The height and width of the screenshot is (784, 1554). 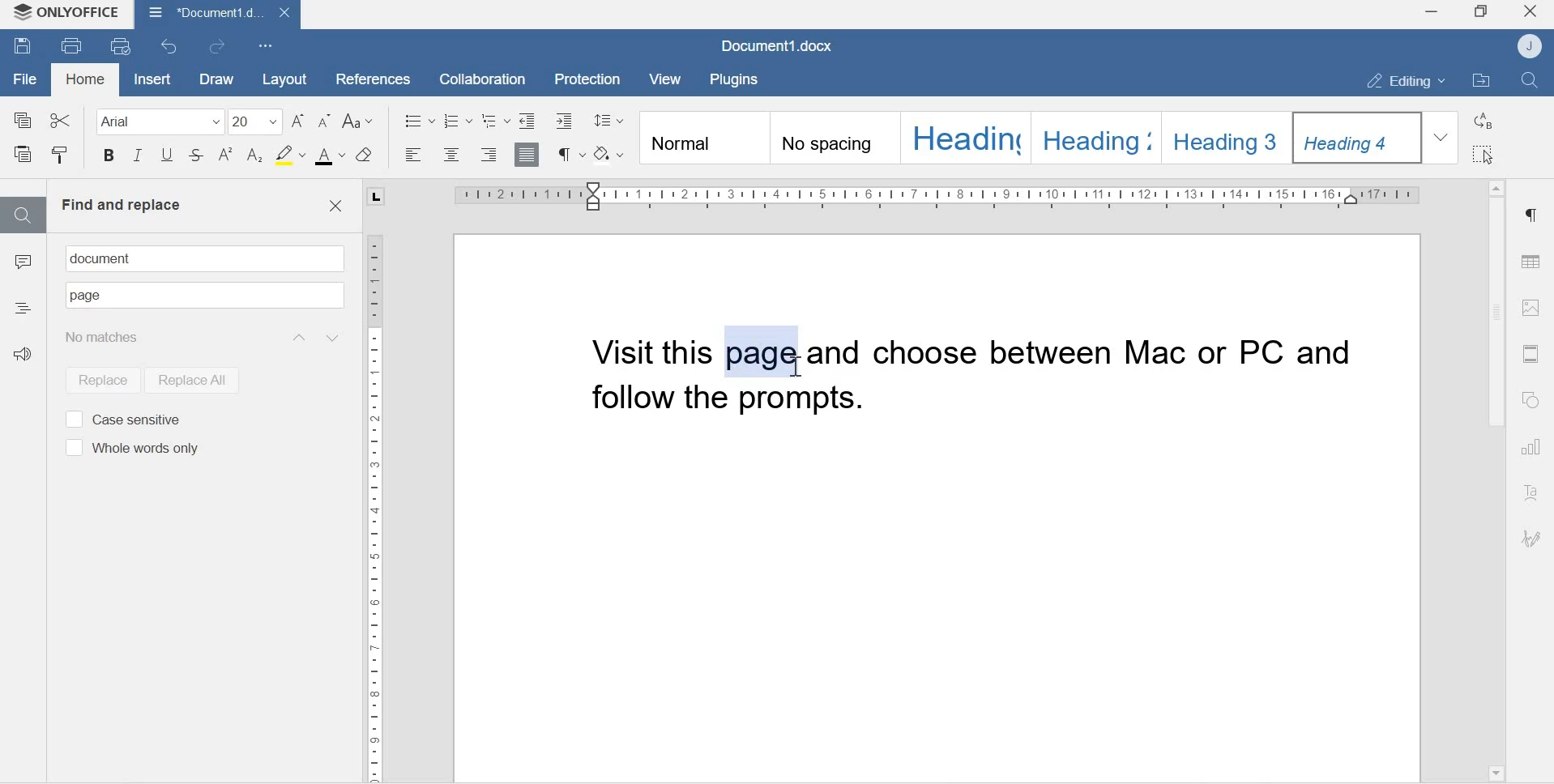 What do you see at coordinates (257, 121) in the screenshot?
I see `Font size` at bounding box center [257, 121].